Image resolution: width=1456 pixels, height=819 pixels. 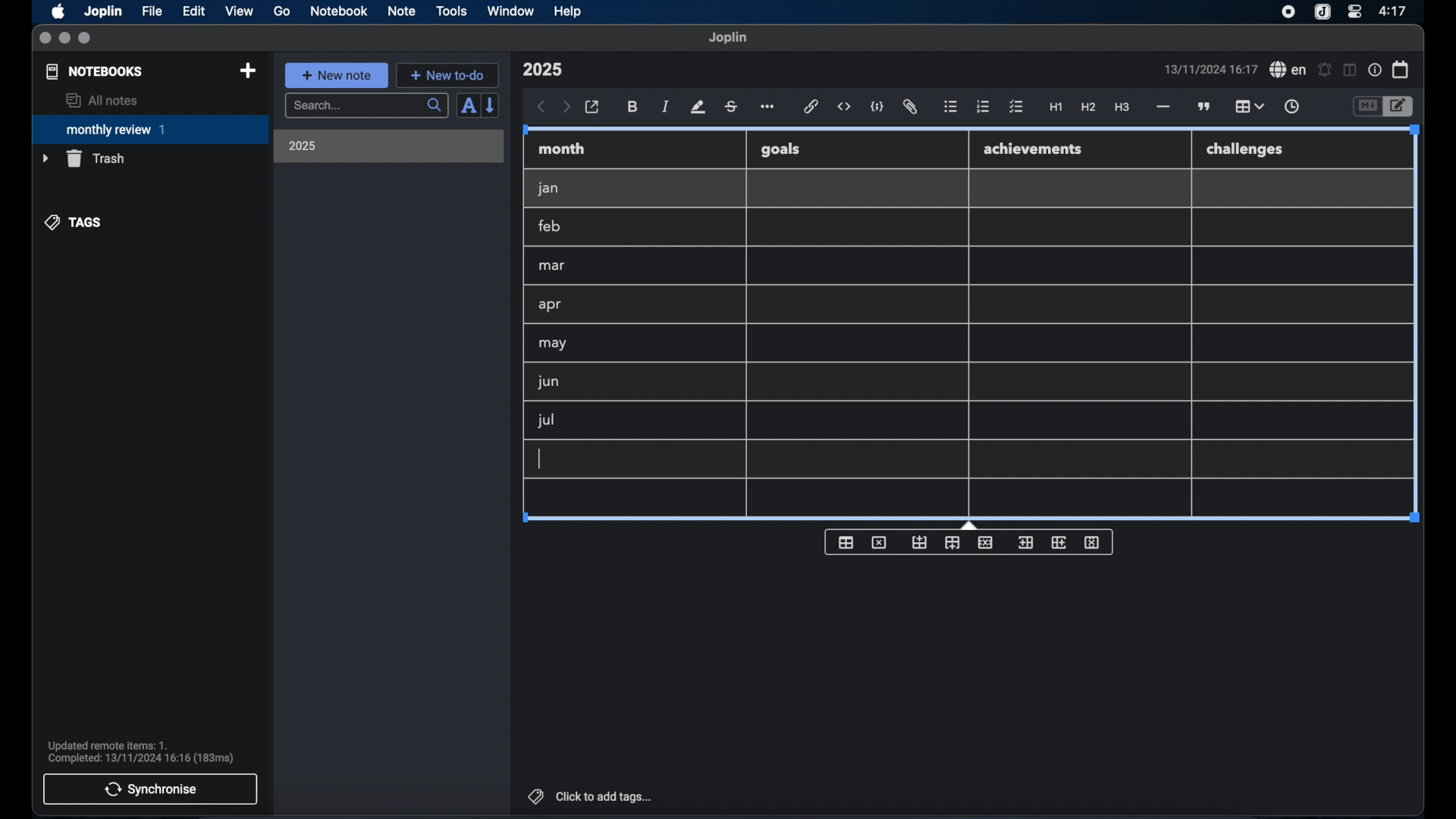 I want to click on horizontal rule, so click(x=1162, y=107).